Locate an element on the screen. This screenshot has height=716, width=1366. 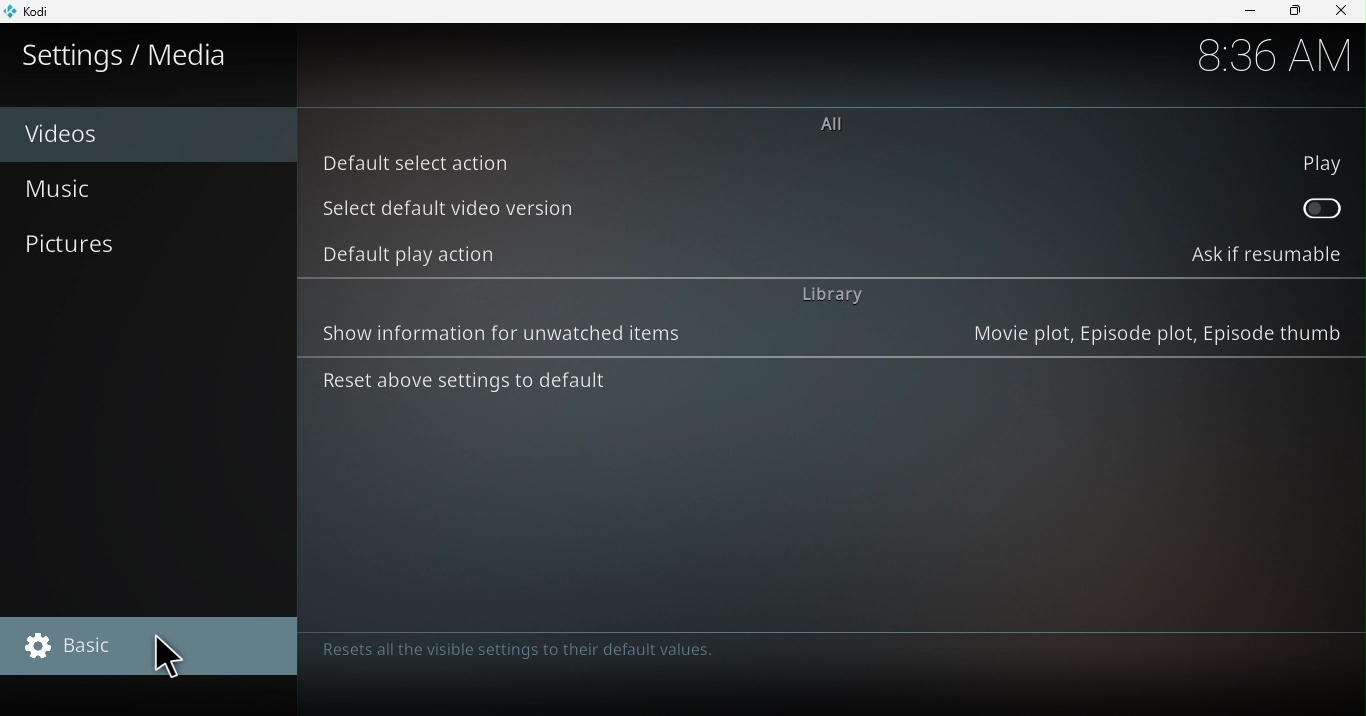
Show information for unwatched items : Movie plot, episode plot, episode thumb is located at coordinates (828, 337).